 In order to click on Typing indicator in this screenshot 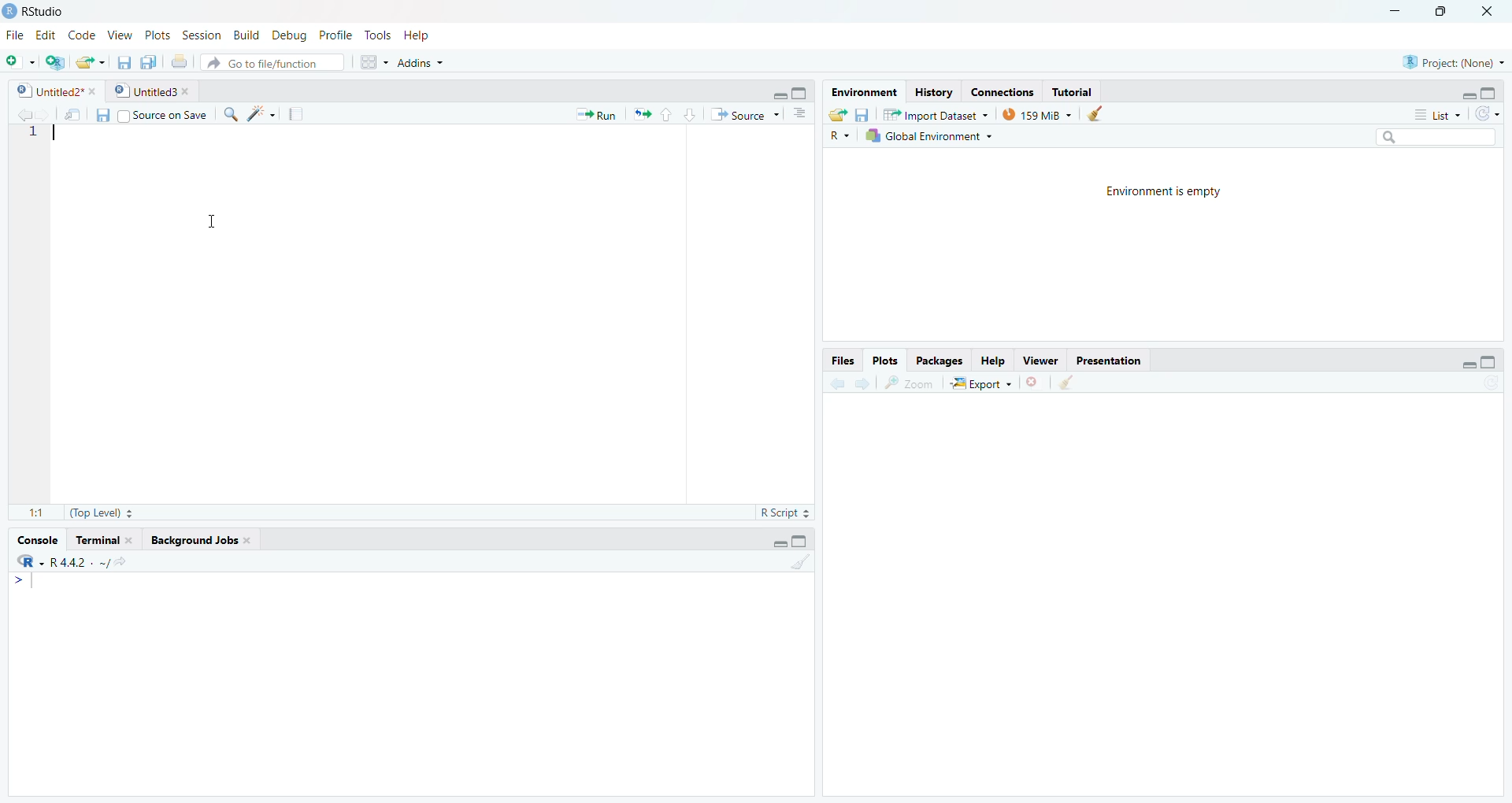, I will do `click(26, 584)`.